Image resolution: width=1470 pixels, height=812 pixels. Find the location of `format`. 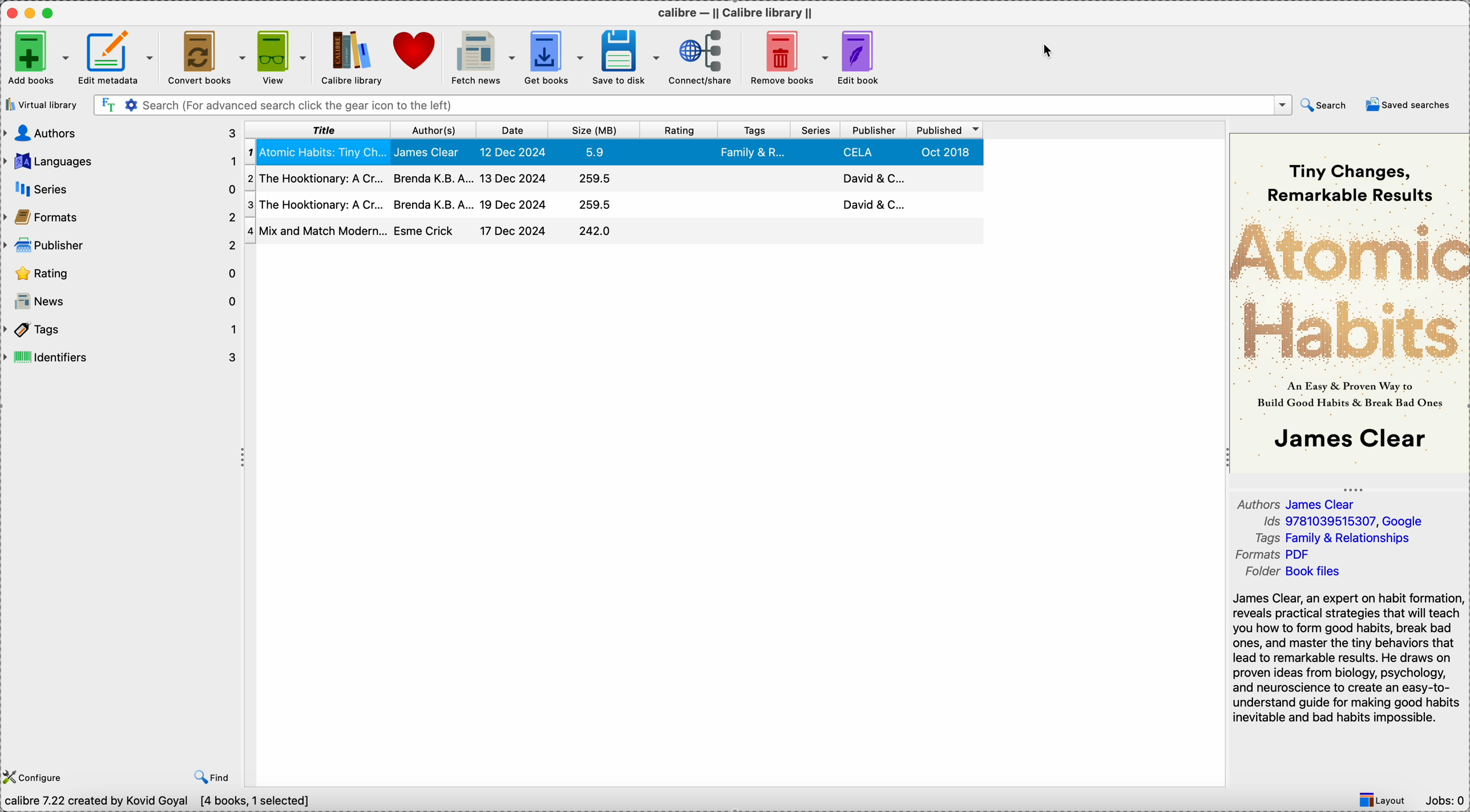

format is located at coordinates (1275, 555).